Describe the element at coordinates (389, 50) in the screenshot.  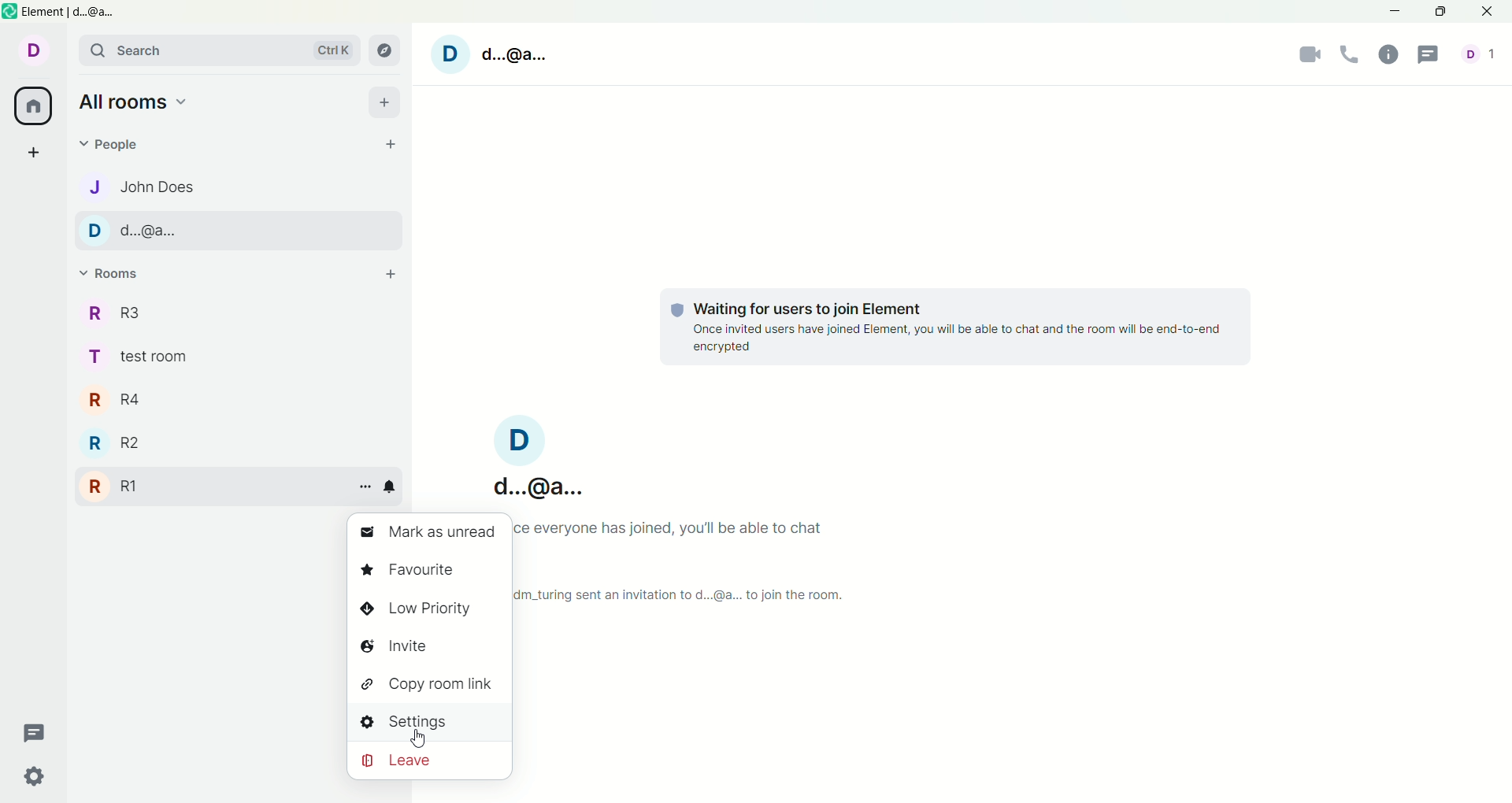
I see `explore rooms` at that location.